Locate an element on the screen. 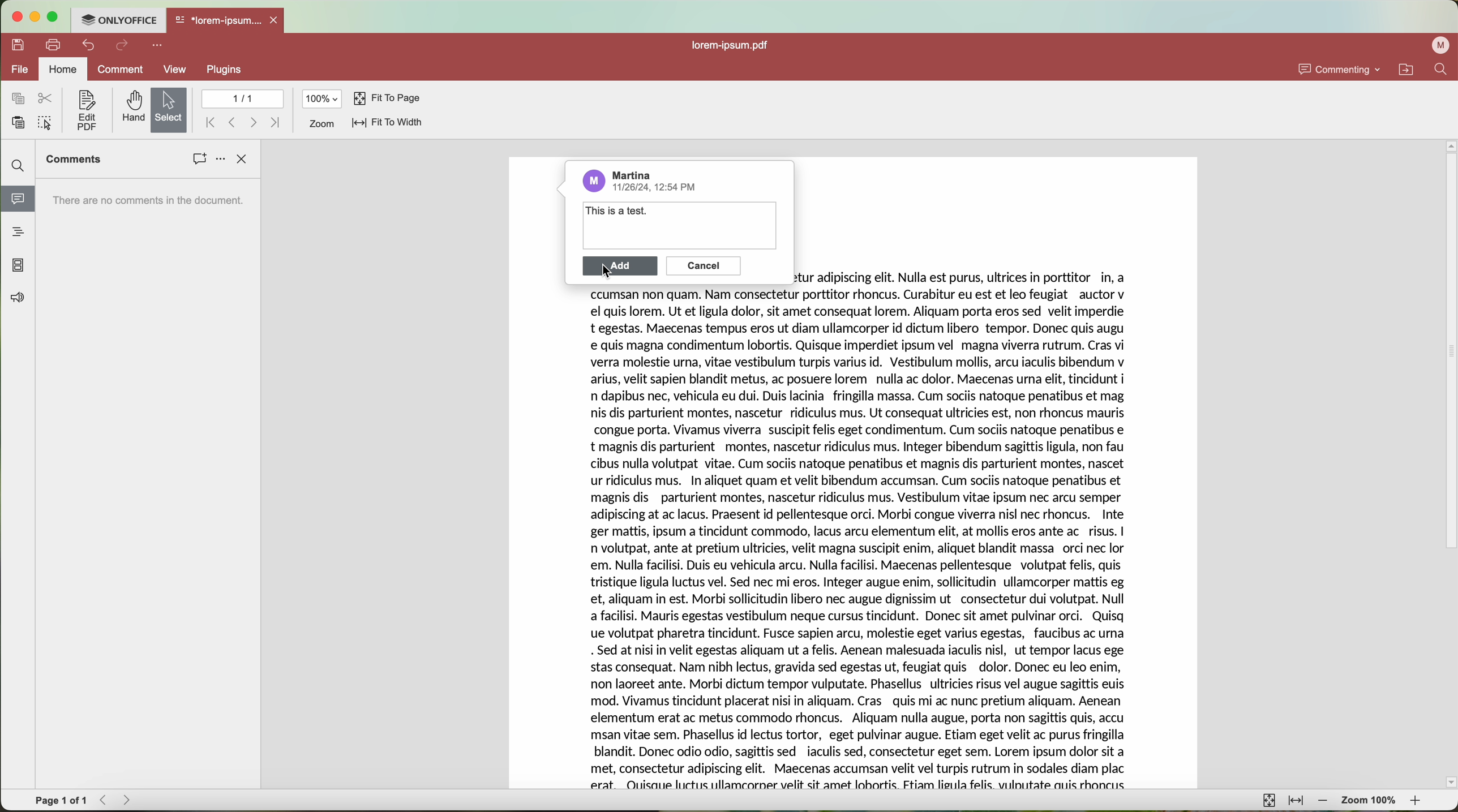  page thumbnails is located at coordinates (18, 266).